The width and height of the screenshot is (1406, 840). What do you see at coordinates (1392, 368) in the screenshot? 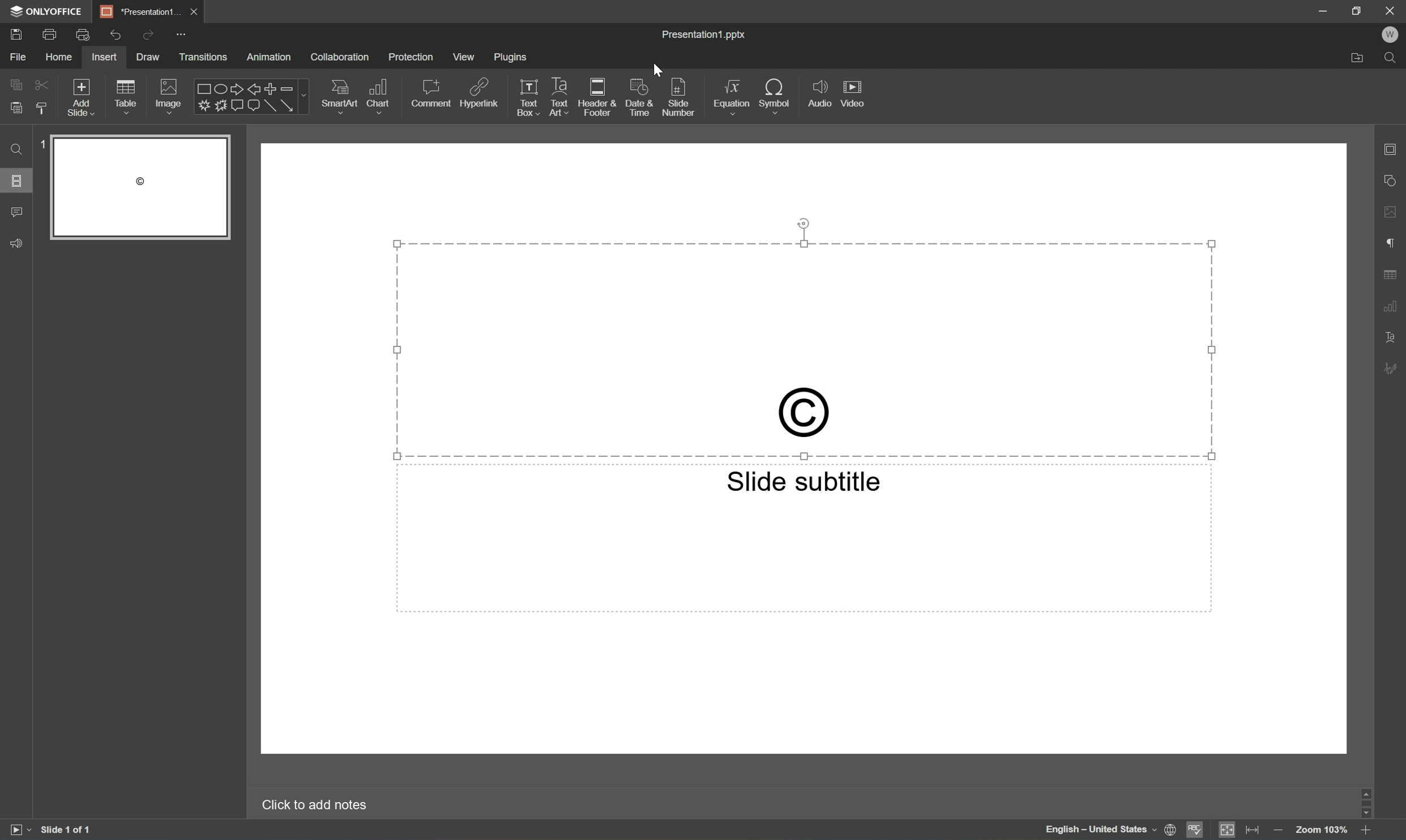
I see `Signature settings` at bounding box center [1392, 368].